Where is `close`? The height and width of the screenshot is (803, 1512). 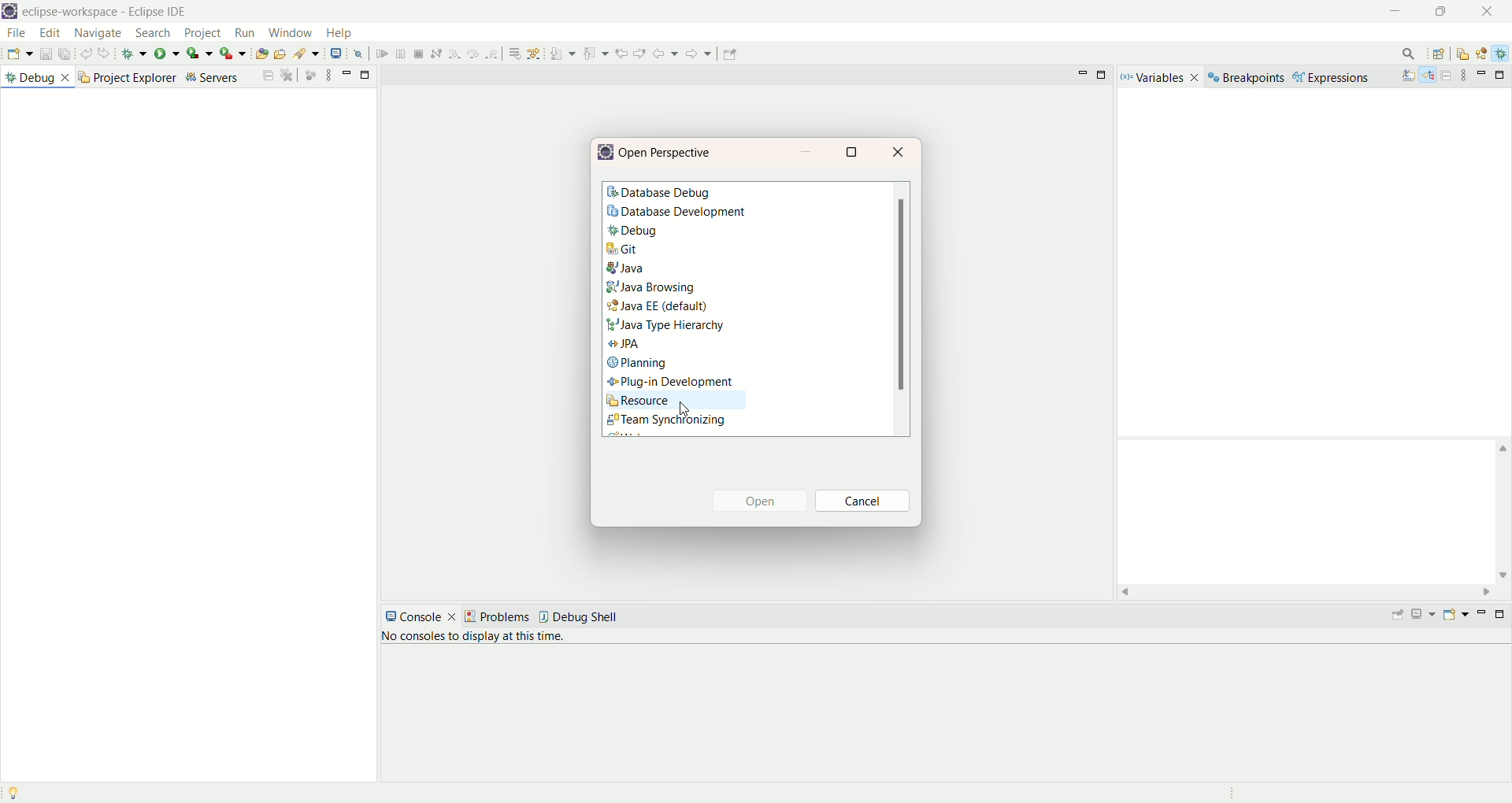 close is located at coordinates (899, 153).